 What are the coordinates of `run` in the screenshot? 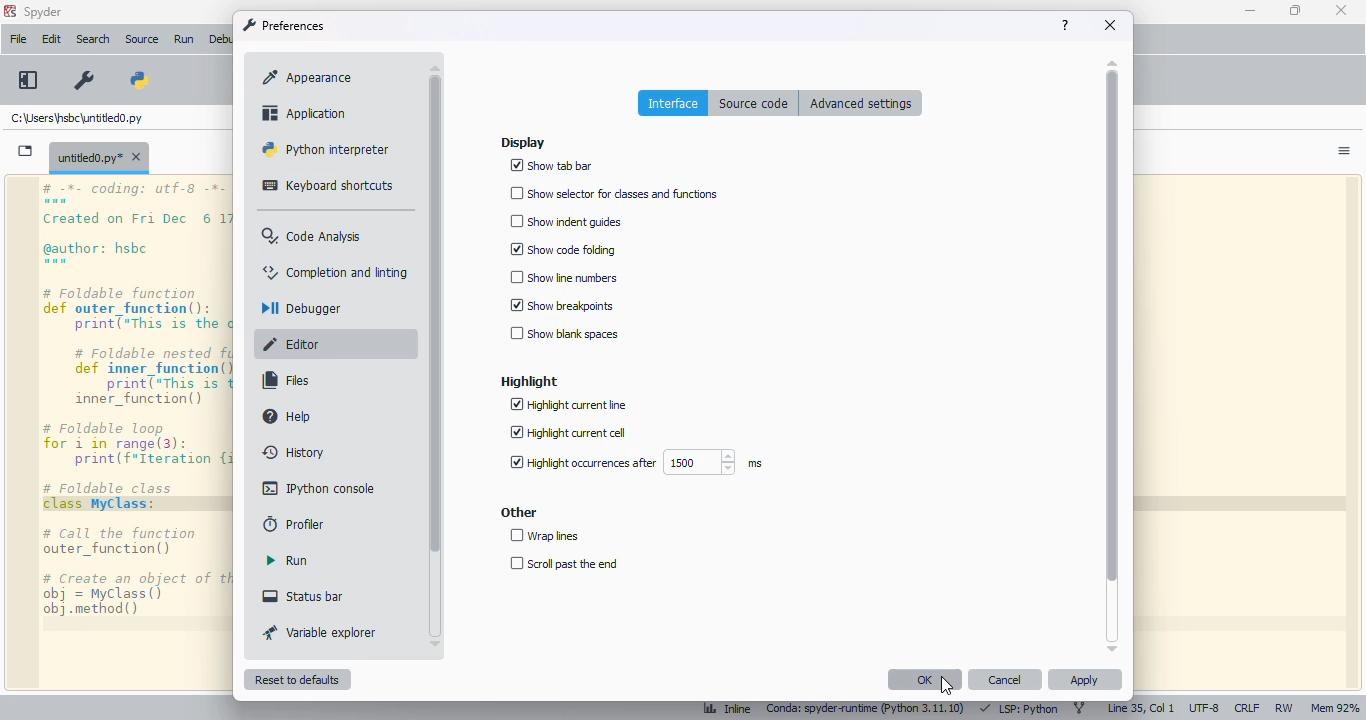 It's located at (288, 560).